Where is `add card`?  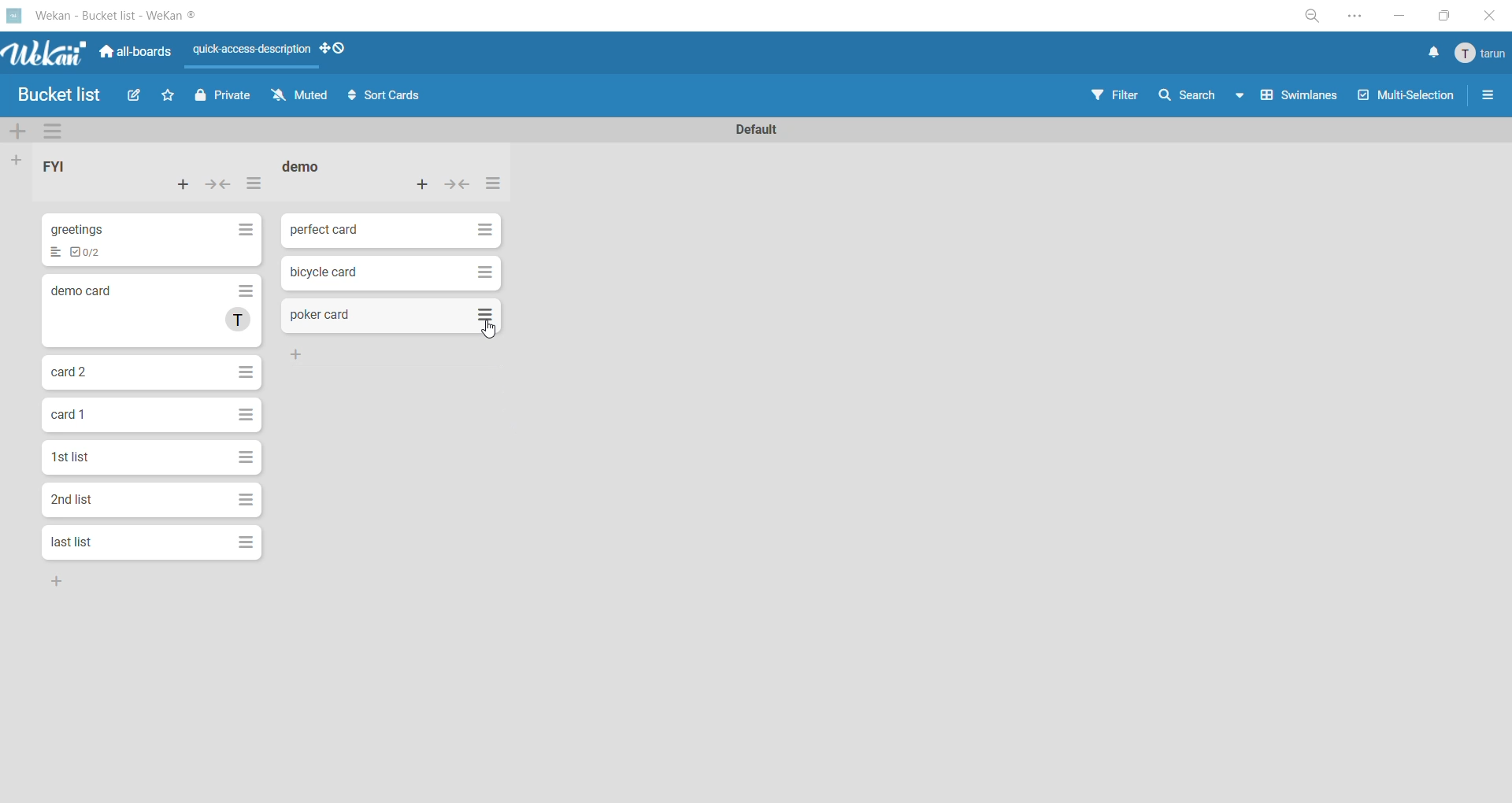
add card is located at coordinates (183, 187).